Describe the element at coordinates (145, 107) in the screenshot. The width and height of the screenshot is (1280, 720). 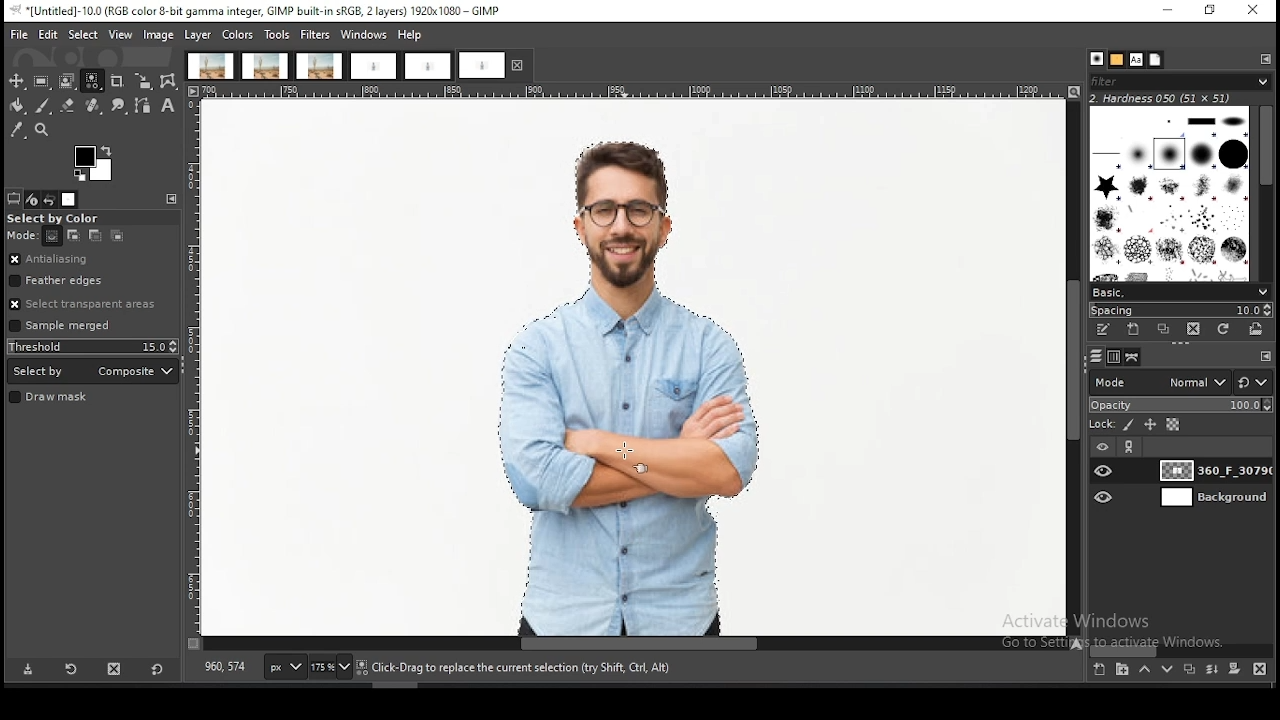
I see `paths tool` at that location.